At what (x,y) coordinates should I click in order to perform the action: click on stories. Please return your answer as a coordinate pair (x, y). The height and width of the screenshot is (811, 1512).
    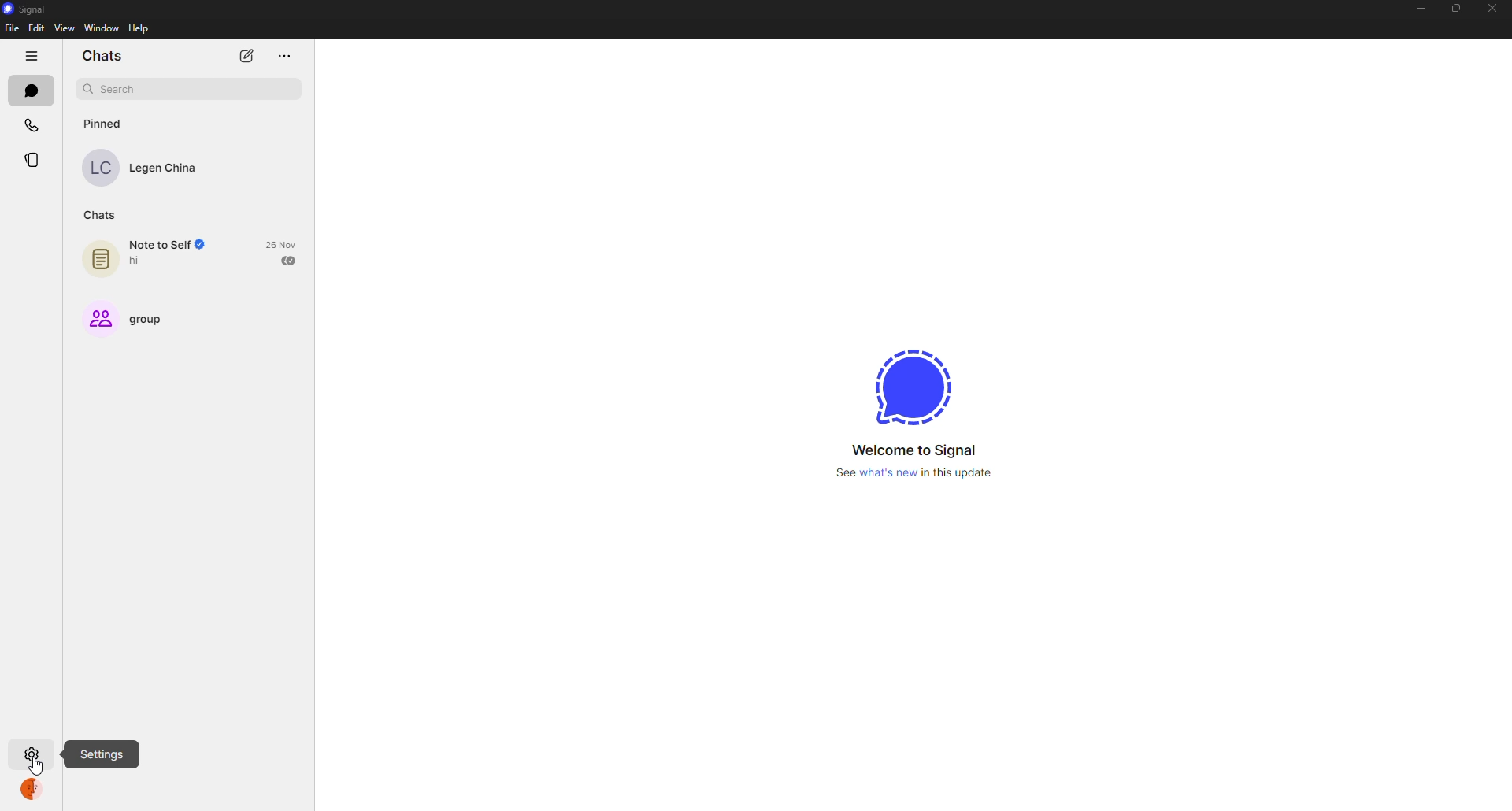
    Looking at the image, I should click on (35, 160).